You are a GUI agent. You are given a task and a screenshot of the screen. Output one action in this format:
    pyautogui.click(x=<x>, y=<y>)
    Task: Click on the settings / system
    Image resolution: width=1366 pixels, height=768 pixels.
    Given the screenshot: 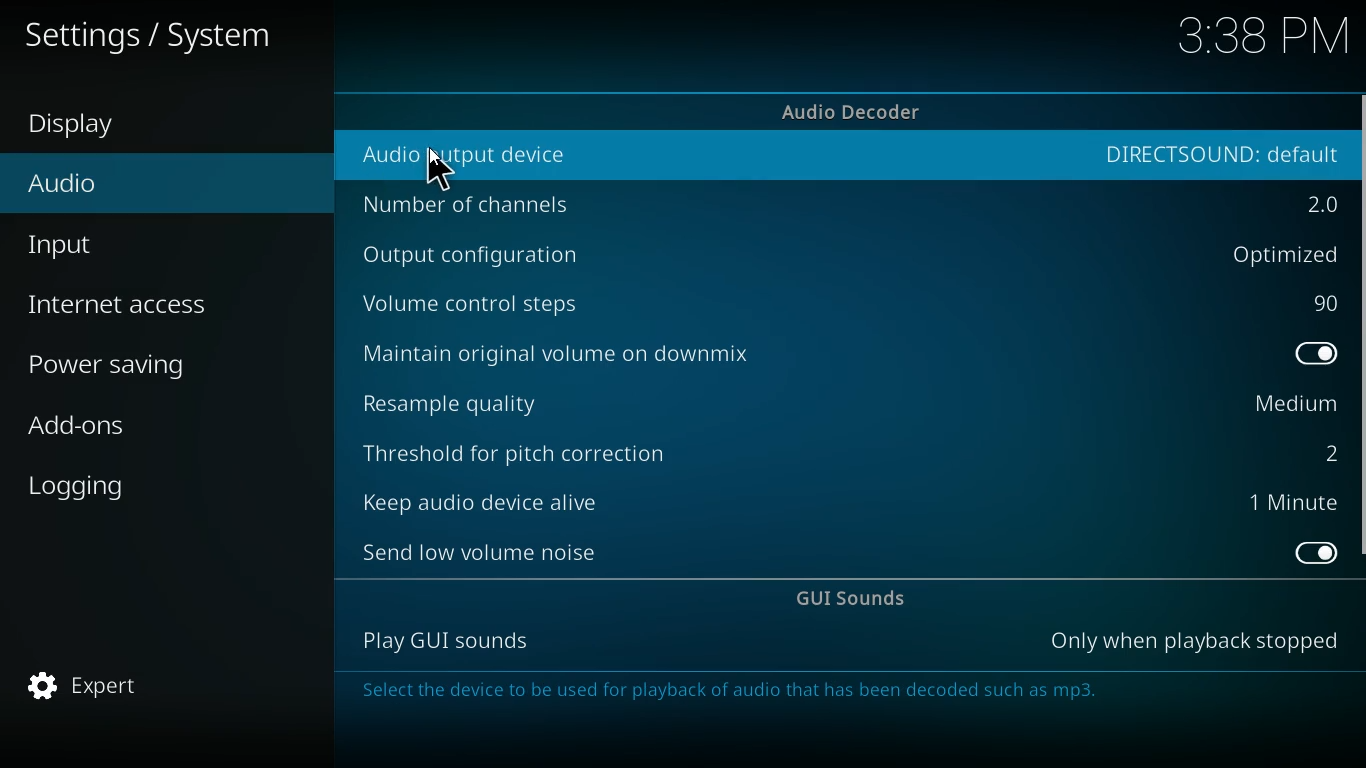 What is the action you would take?
    pyautogui.click(x=159, y=33)
    